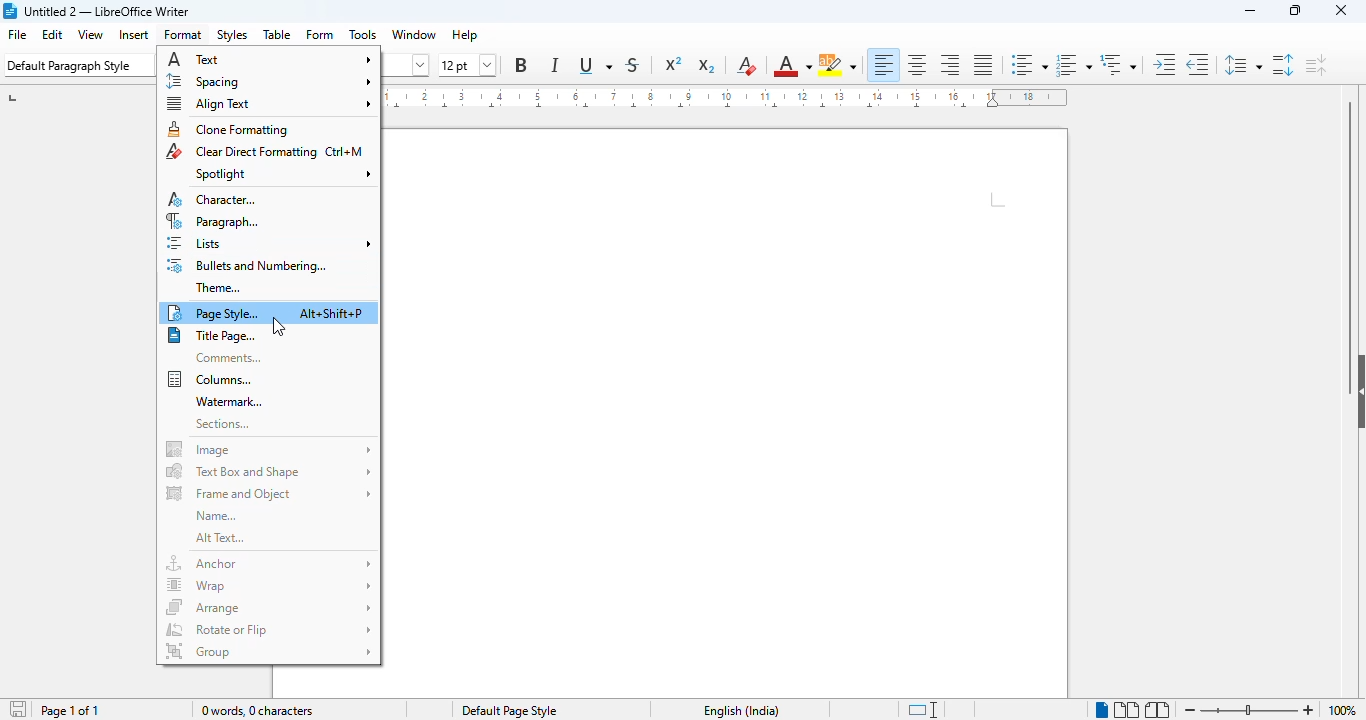  I want to click on 0 words, 0 characters, so click(256, 711).